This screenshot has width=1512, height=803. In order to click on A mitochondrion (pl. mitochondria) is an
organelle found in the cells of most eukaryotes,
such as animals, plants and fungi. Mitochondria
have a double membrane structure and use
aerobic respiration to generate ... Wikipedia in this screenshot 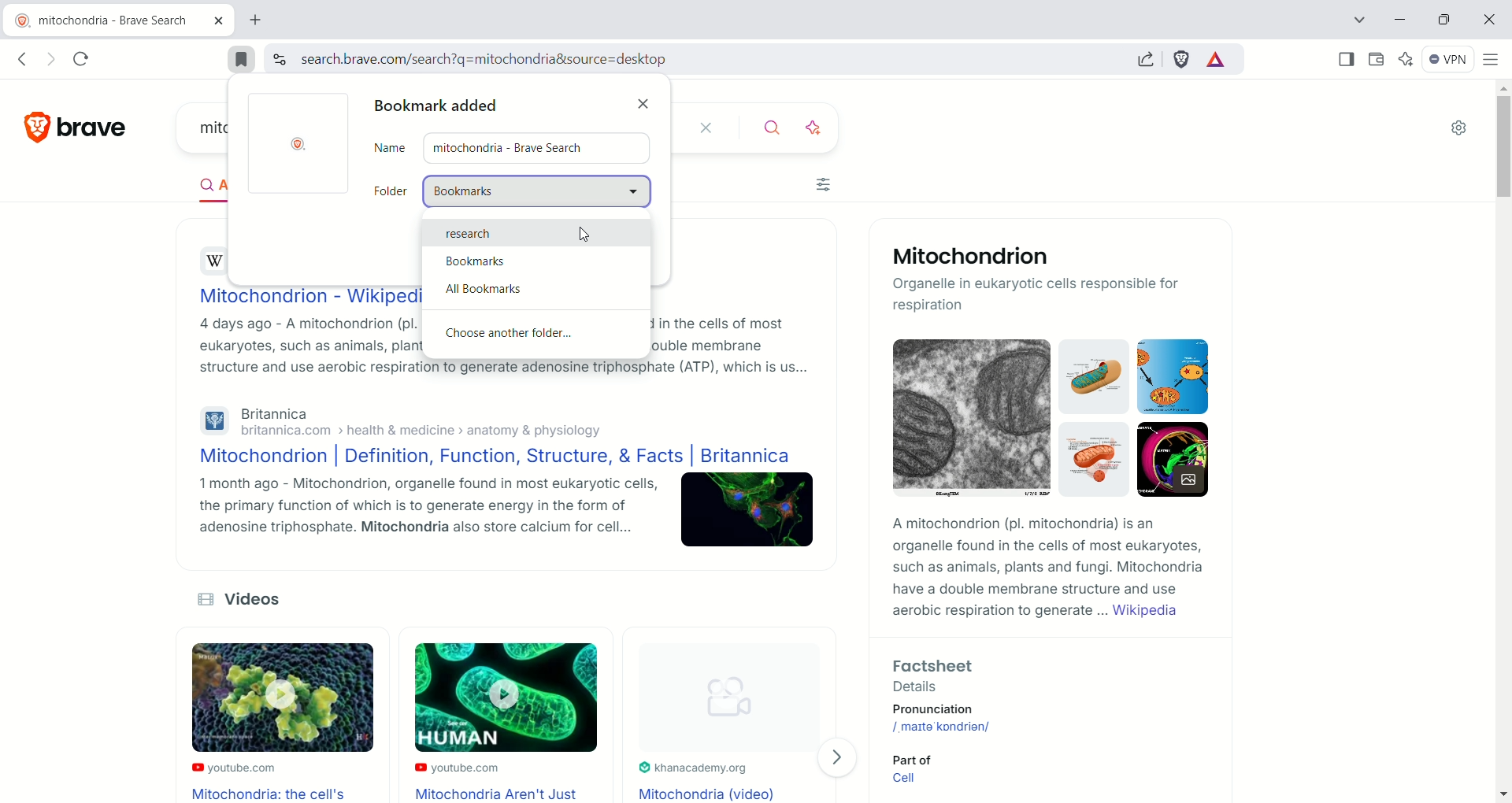, I will do `click(1043, 569)`.